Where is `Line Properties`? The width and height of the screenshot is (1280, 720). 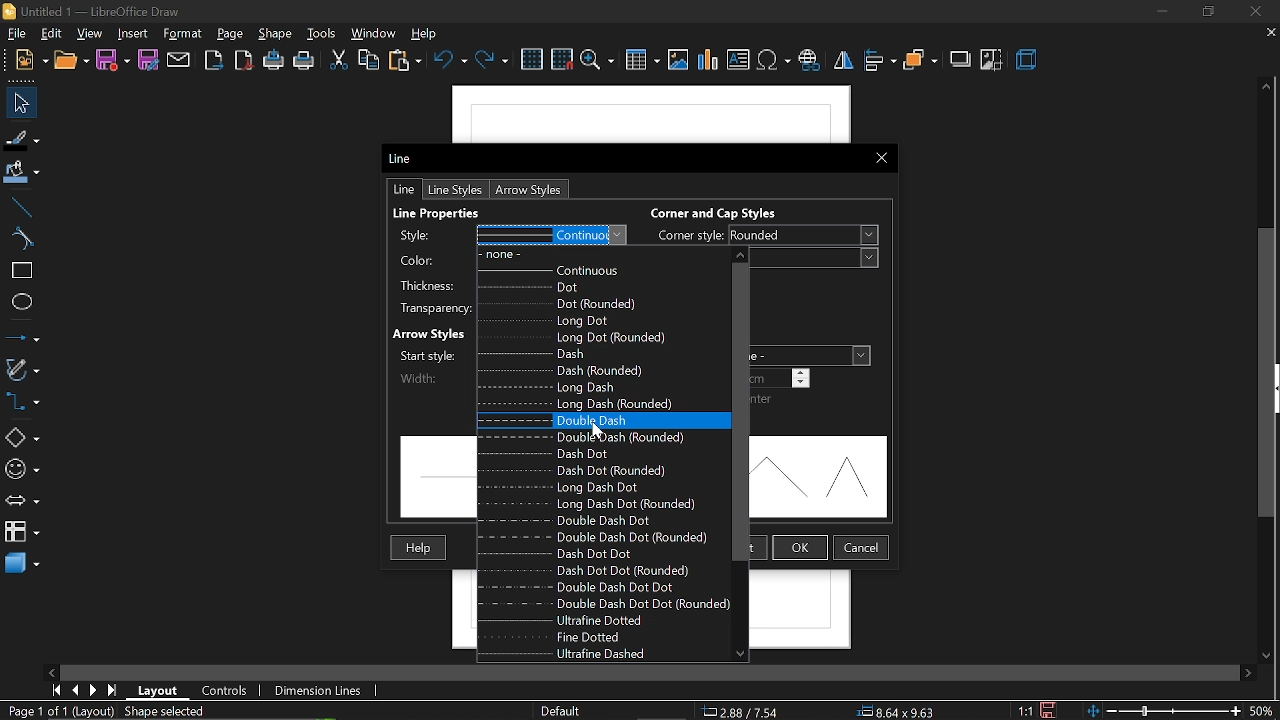
Line Properties is located at coordinates (459, 212).